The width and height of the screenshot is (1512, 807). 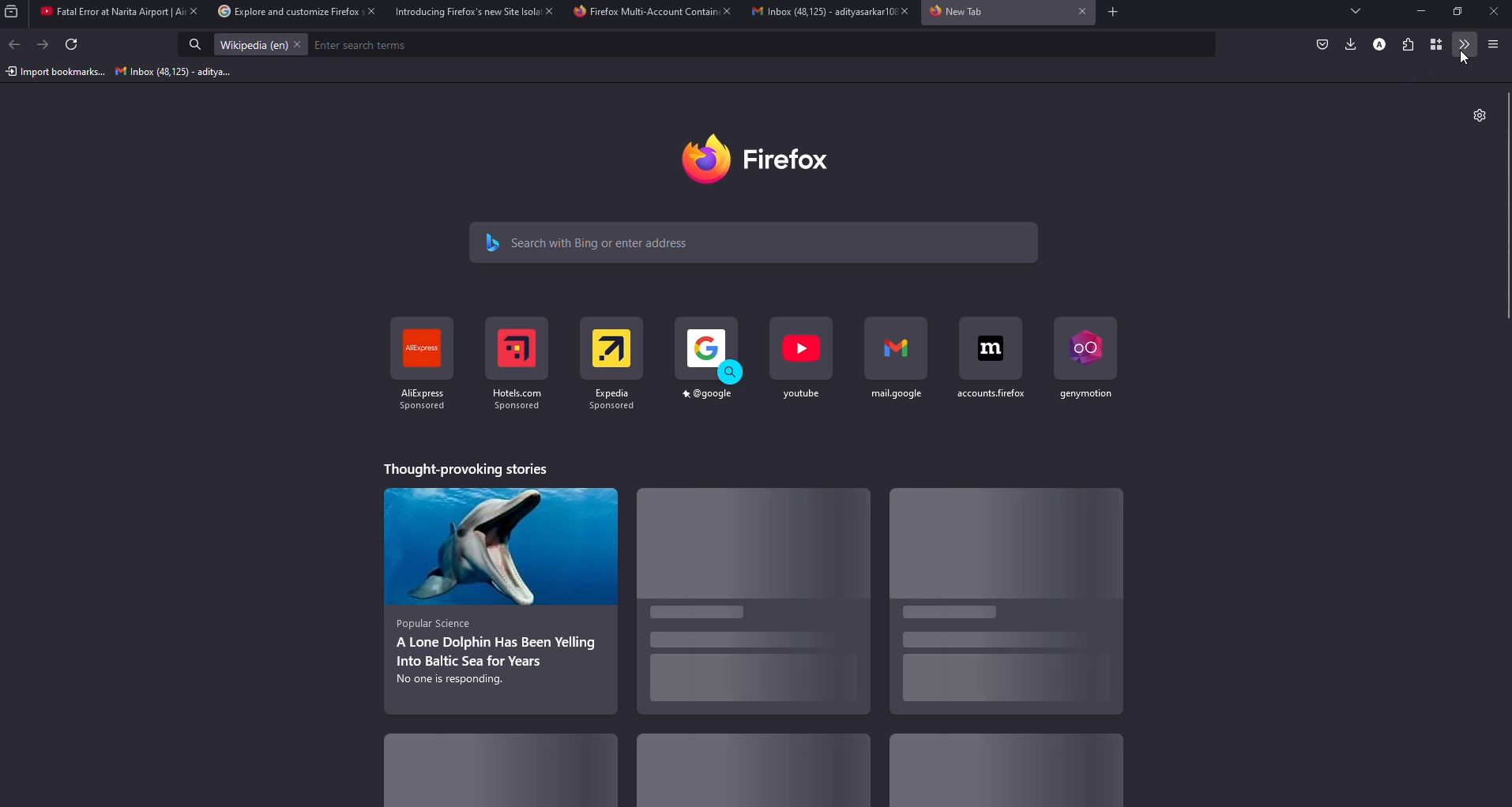 What do you see at coordinates (55, 72) in the screenshot?
I see `import` at bounding box center [55, 72].